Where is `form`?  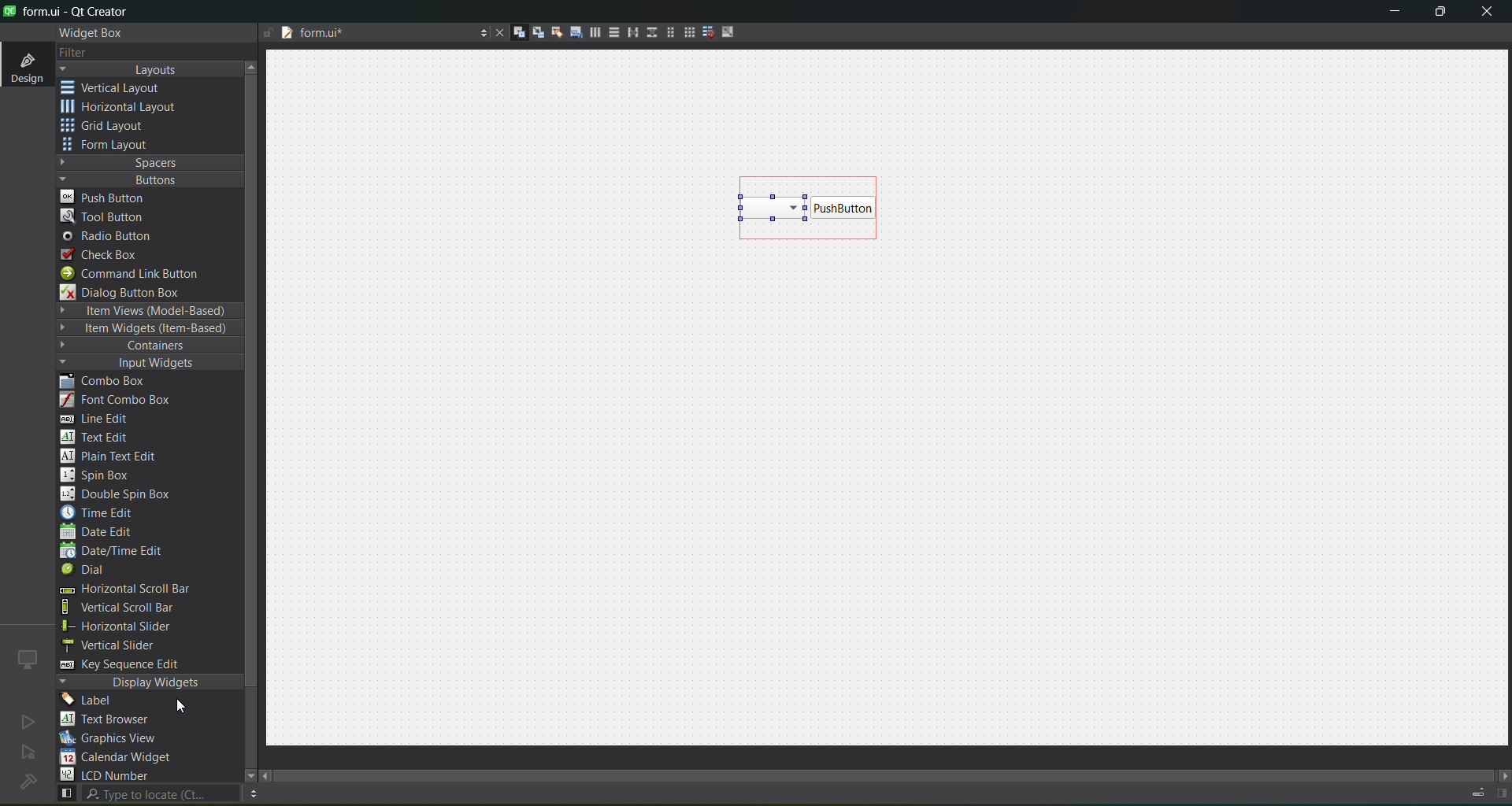
form is located at coordinates (110, 145).